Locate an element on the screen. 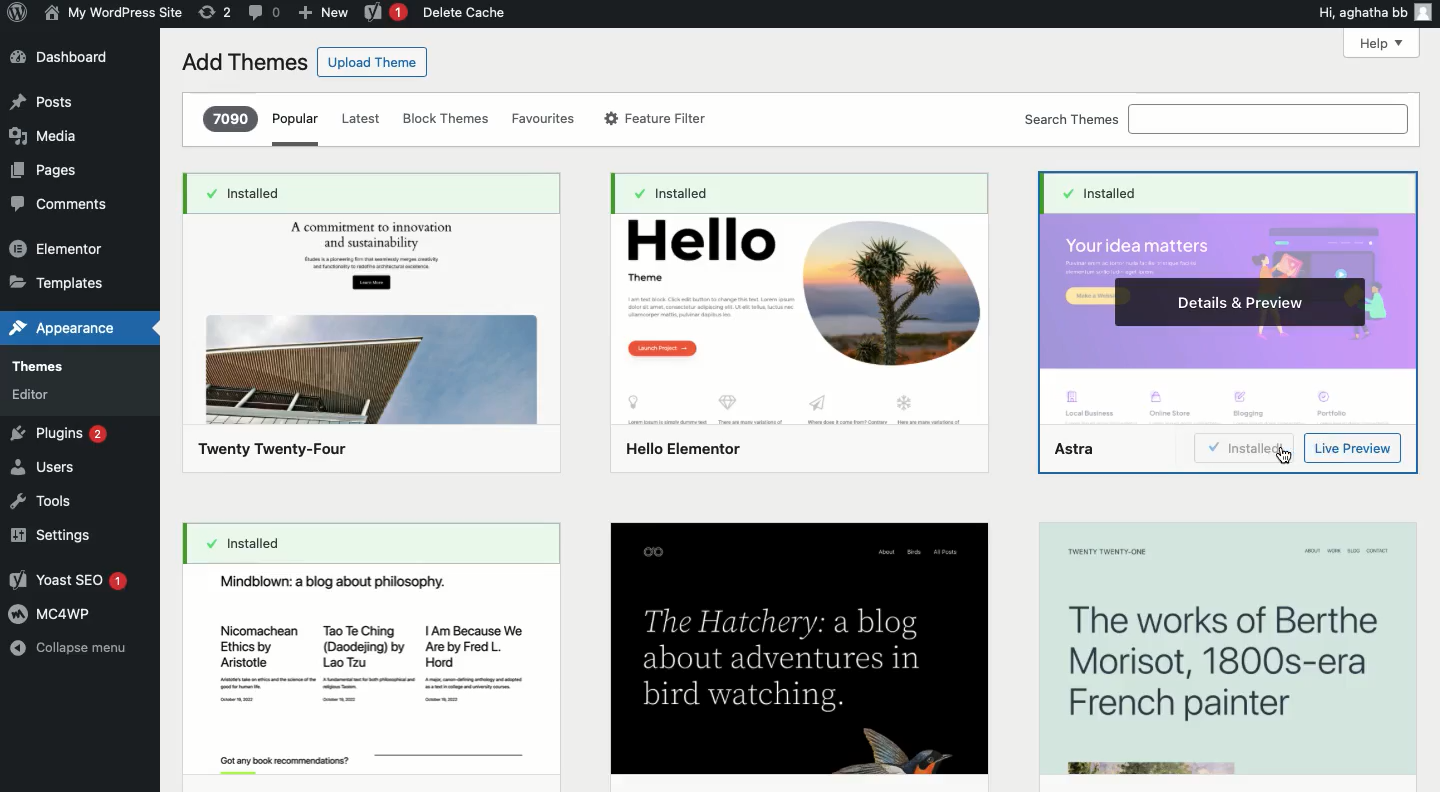 The width and height of the screenshot is (1440, 792). Favorites is located at coordinates (541, 119).